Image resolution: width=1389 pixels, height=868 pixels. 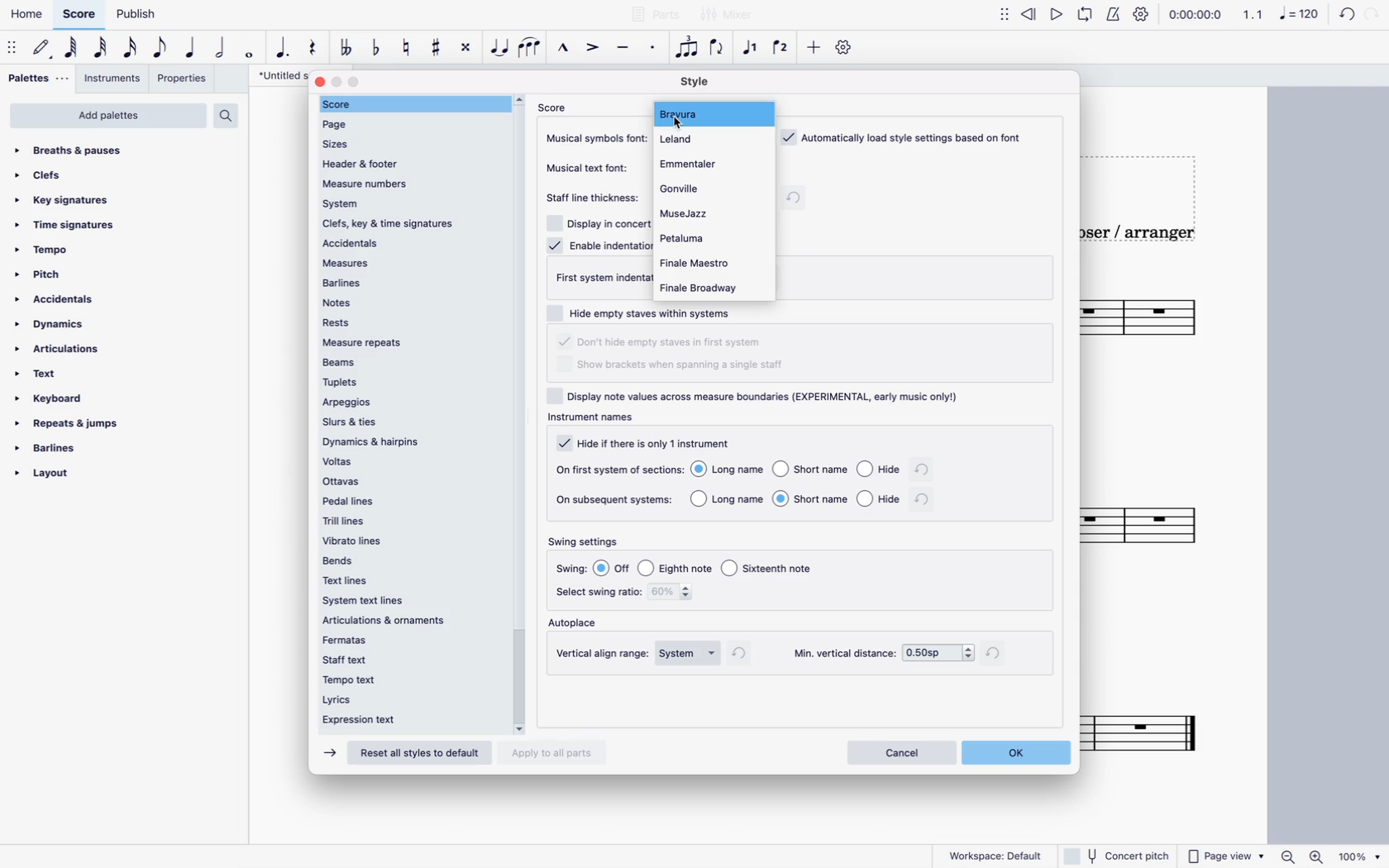 What do you see at coordinates (251, 55) in the screenshot?
I see `full note` at bounding box center [251, 55].